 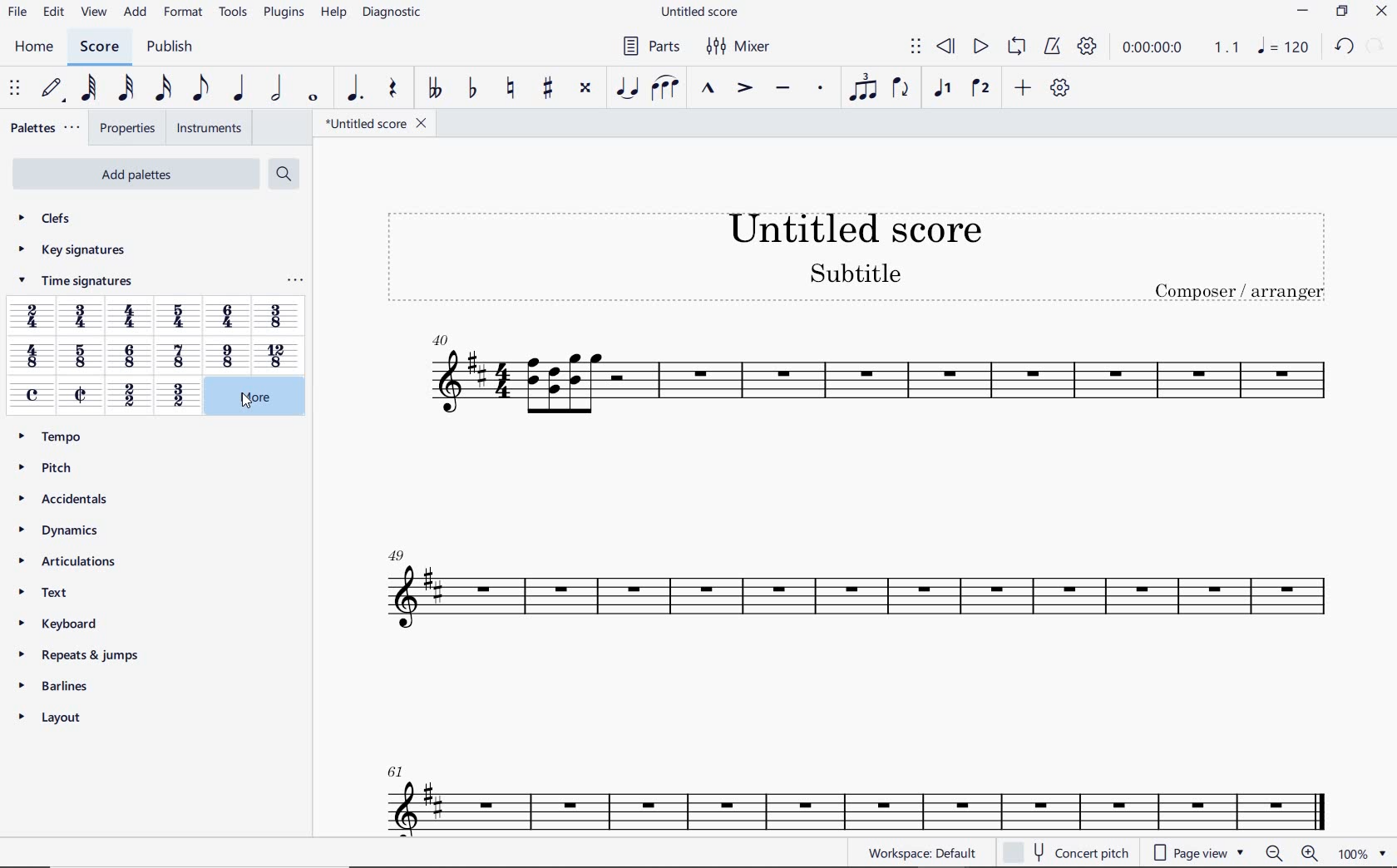 I want to click on TOGGLE-DOUBLE FLAT, so click(x=434, y=89).